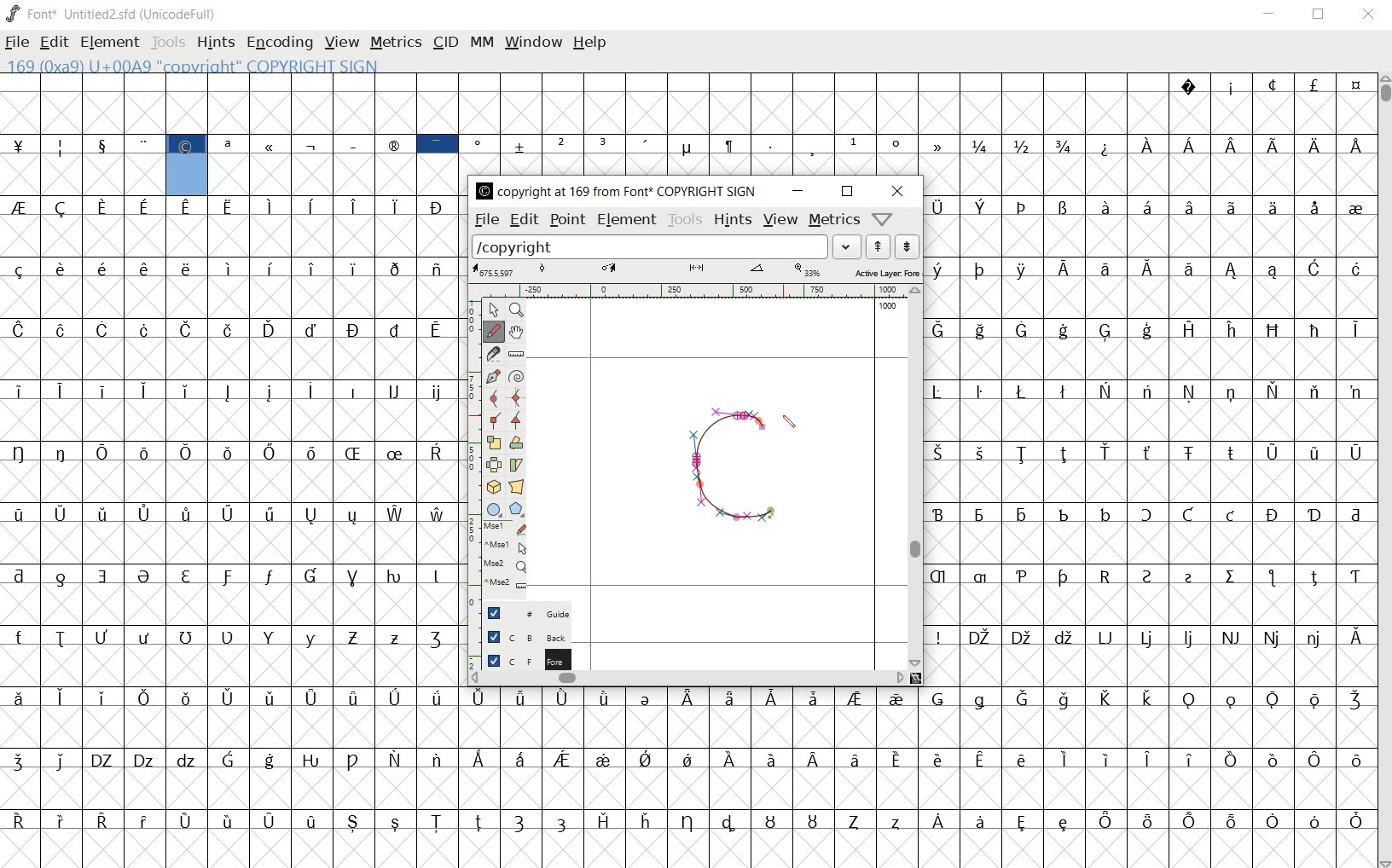  I want to click on add a curve point always either horizontal or vertical, so click(519, 398).